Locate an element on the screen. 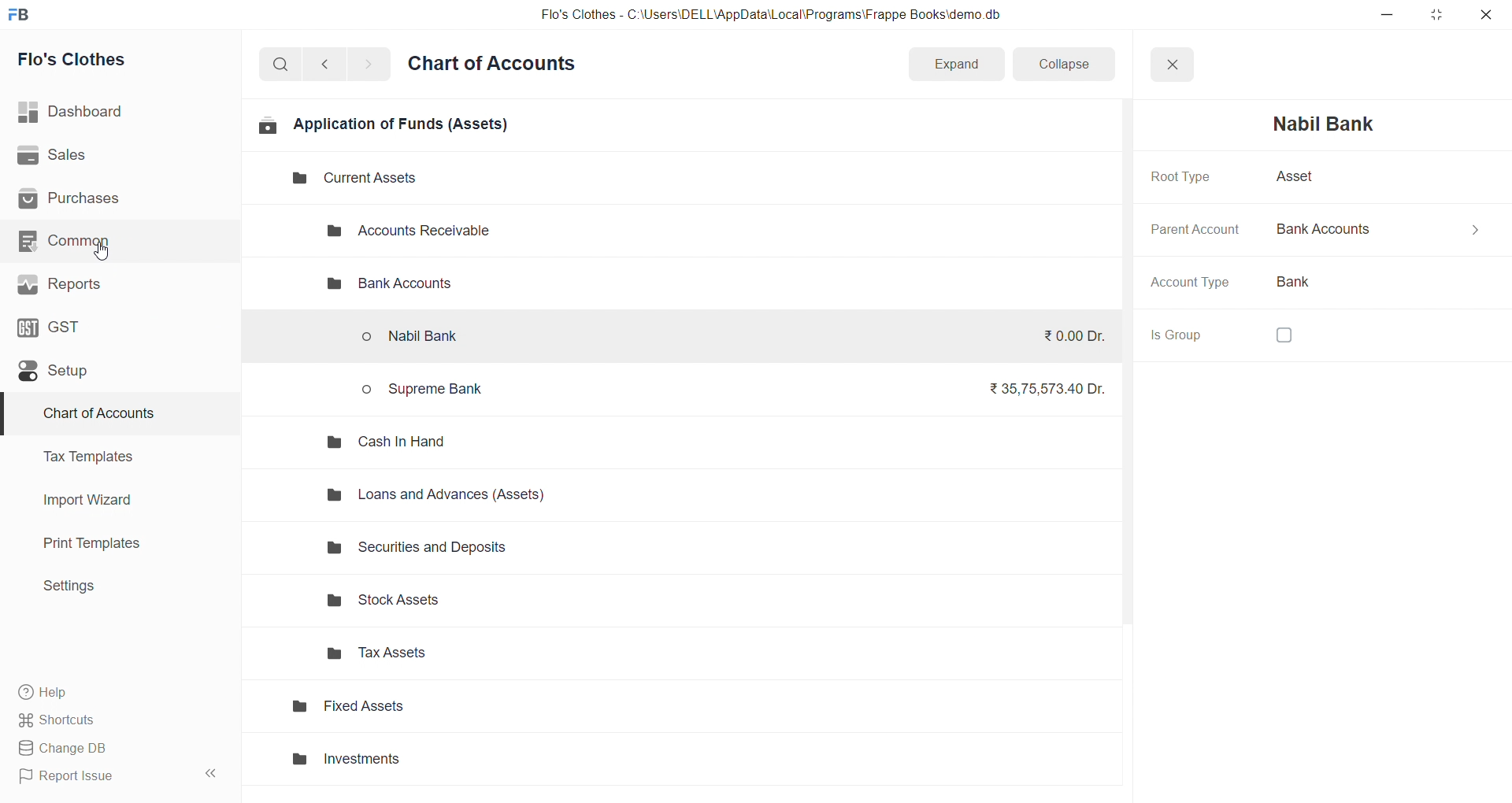  Root Type is located at coordinates (1183, 176).